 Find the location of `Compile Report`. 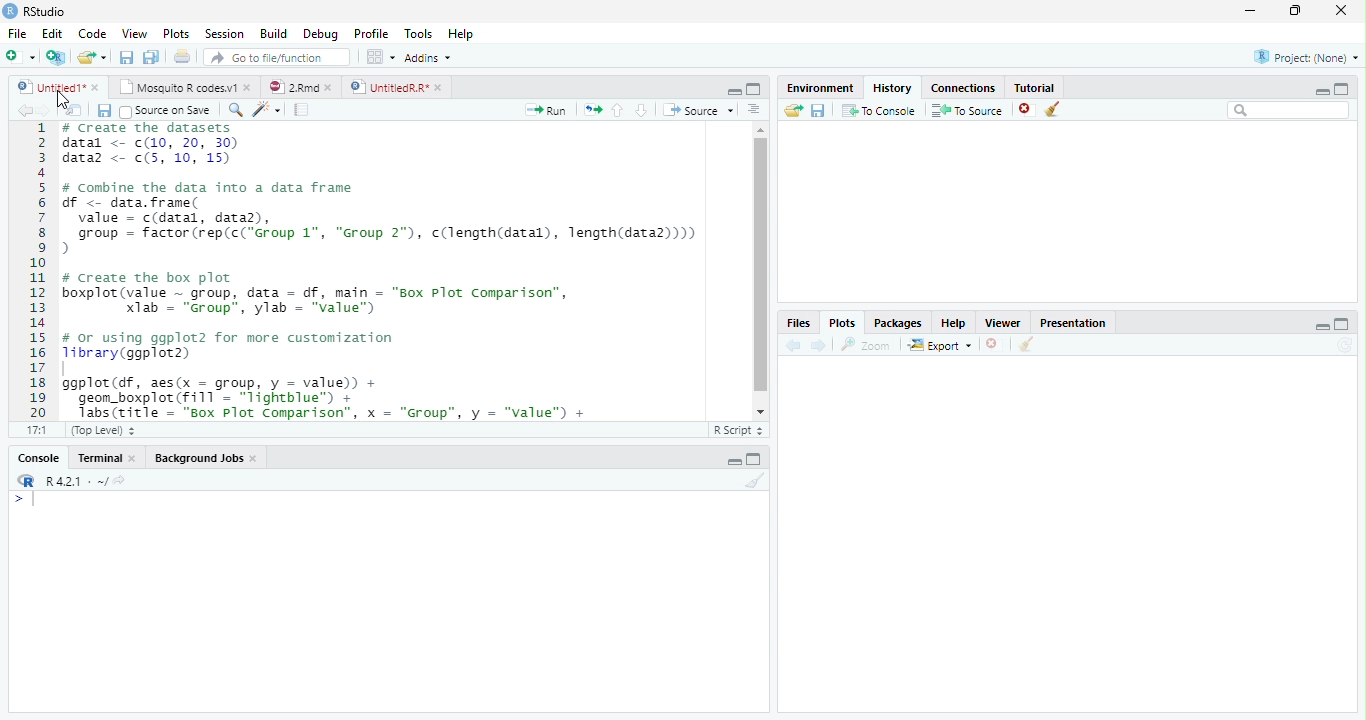

Compile Report is located at coordinates (302, 109).